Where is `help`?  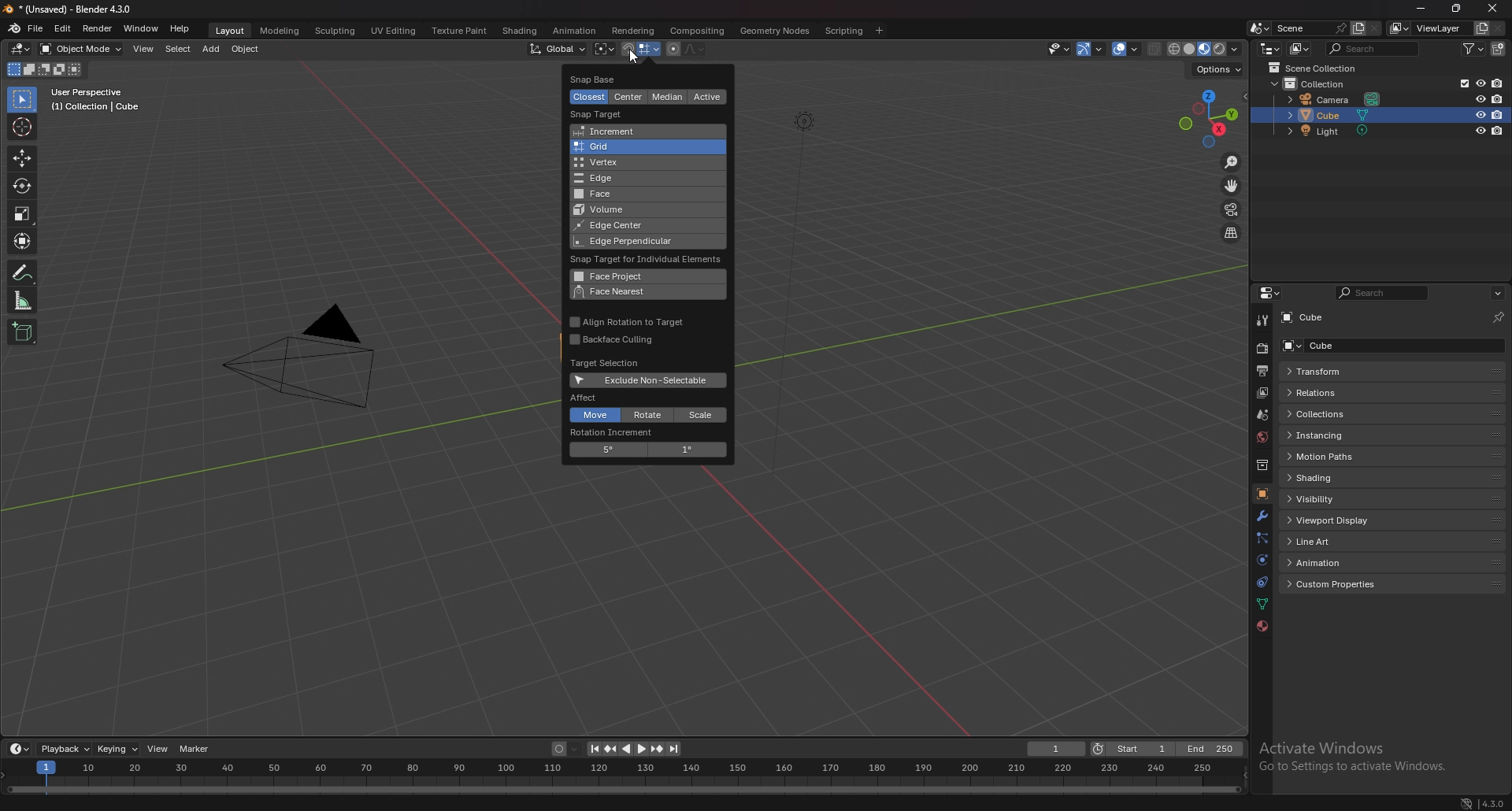
help is located at coordinates (181, 28).